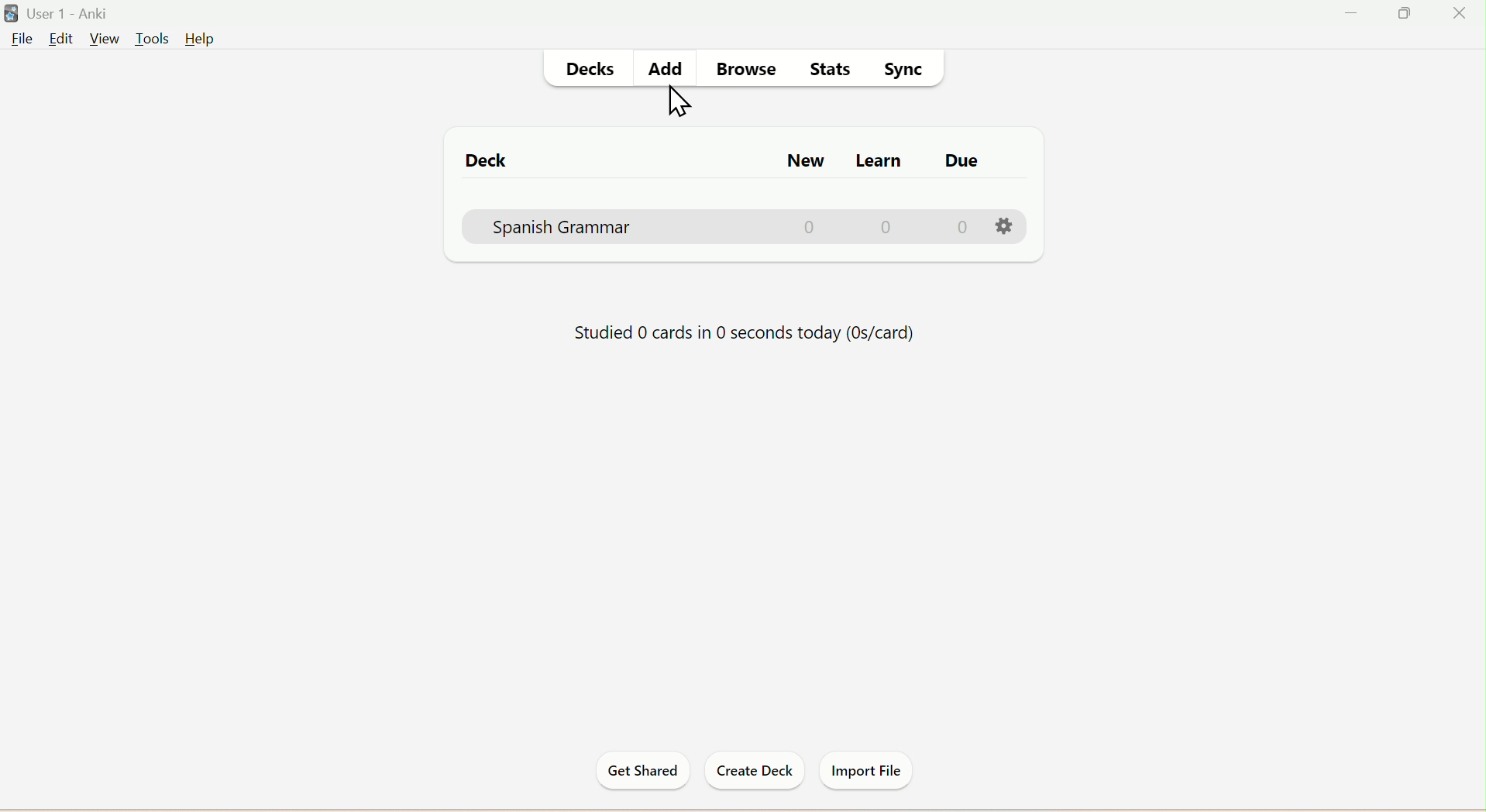  Describe the element at coordinates (663, 68) in the screenshot. I see `Add` at that location.